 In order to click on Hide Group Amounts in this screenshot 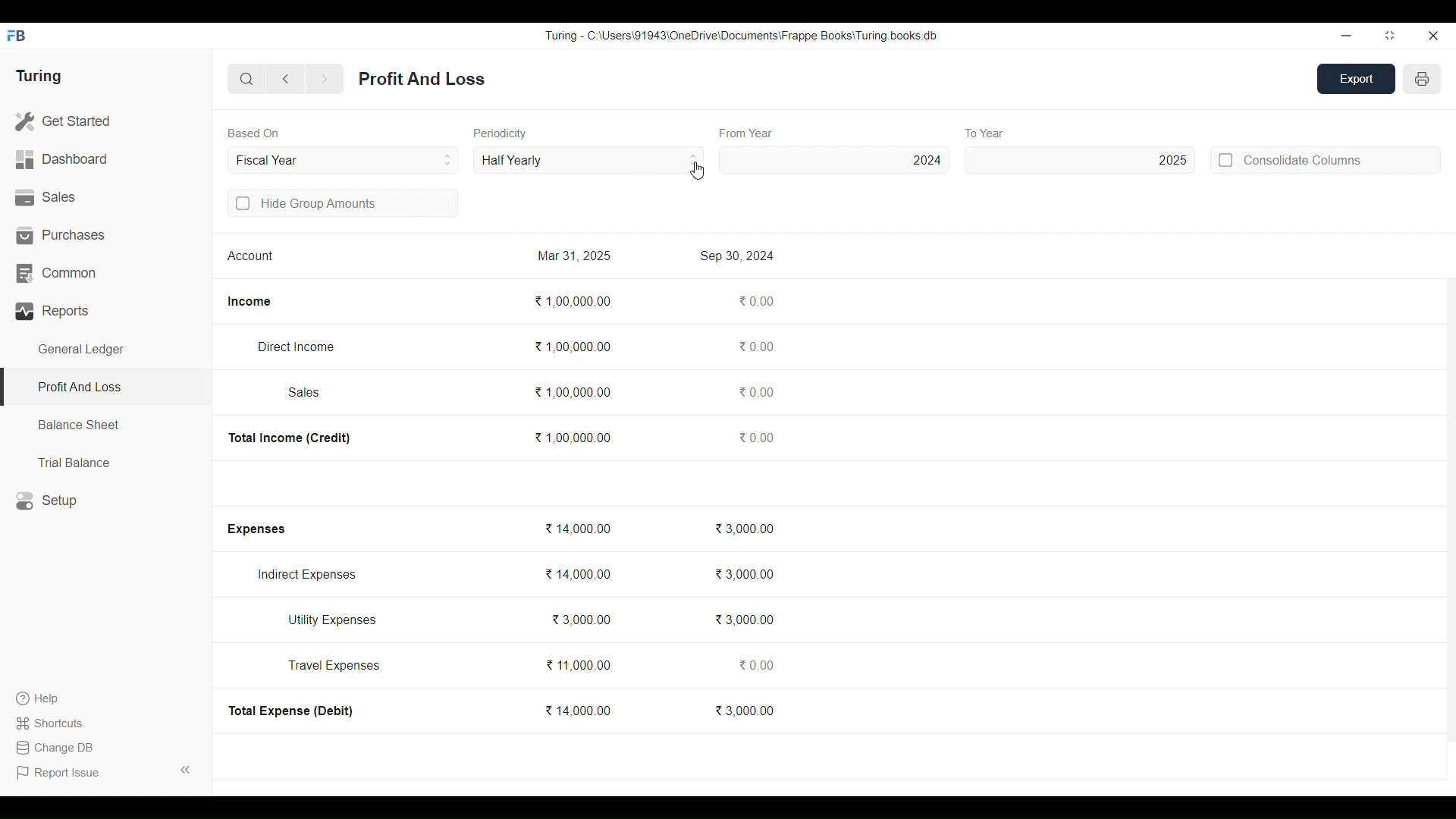, I will do `click(344, 202)`.